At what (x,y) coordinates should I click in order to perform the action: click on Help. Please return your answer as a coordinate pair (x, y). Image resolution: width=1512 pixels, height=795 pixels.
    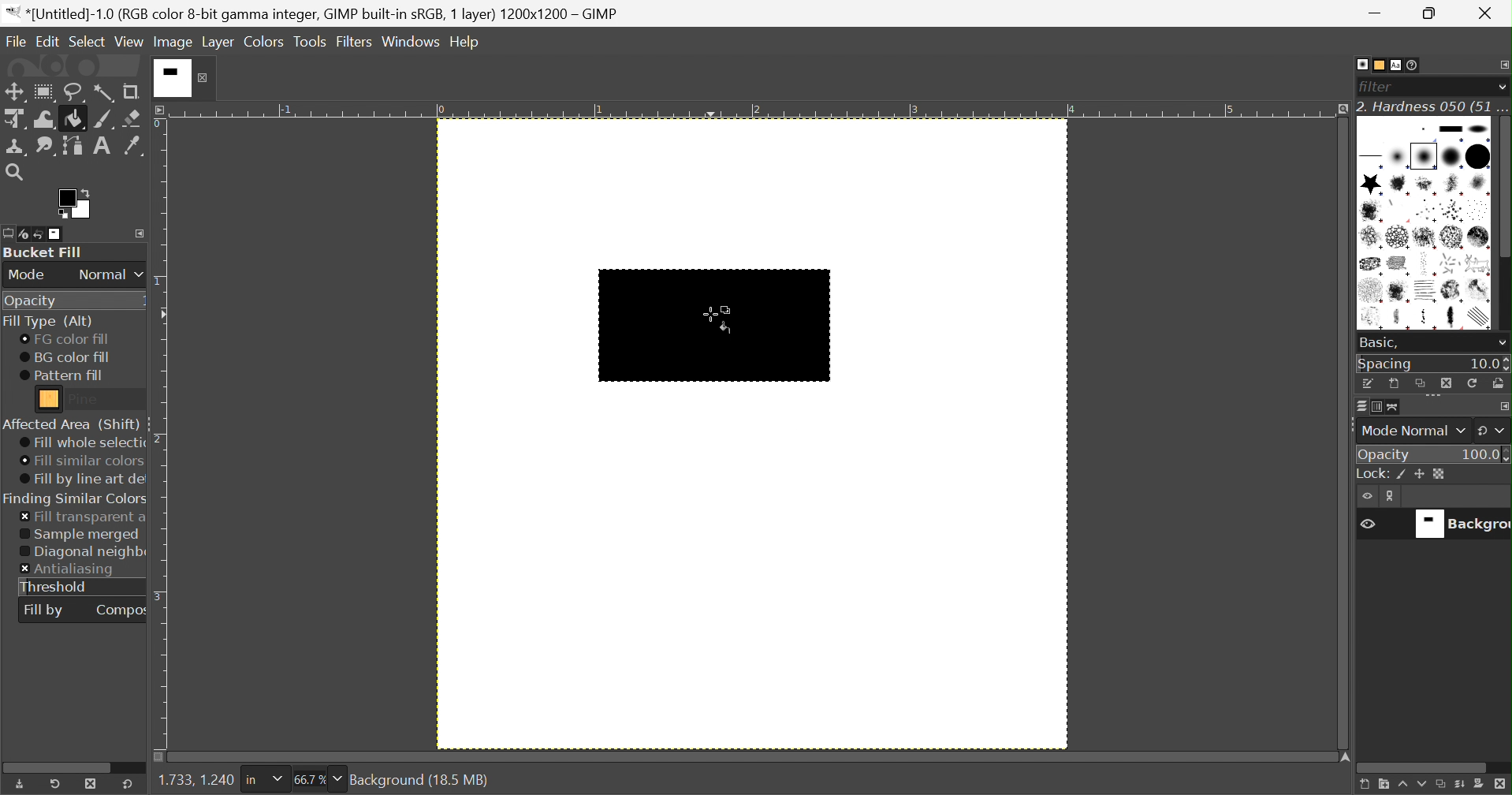
    Looking at the image, I should click on (466, 42).